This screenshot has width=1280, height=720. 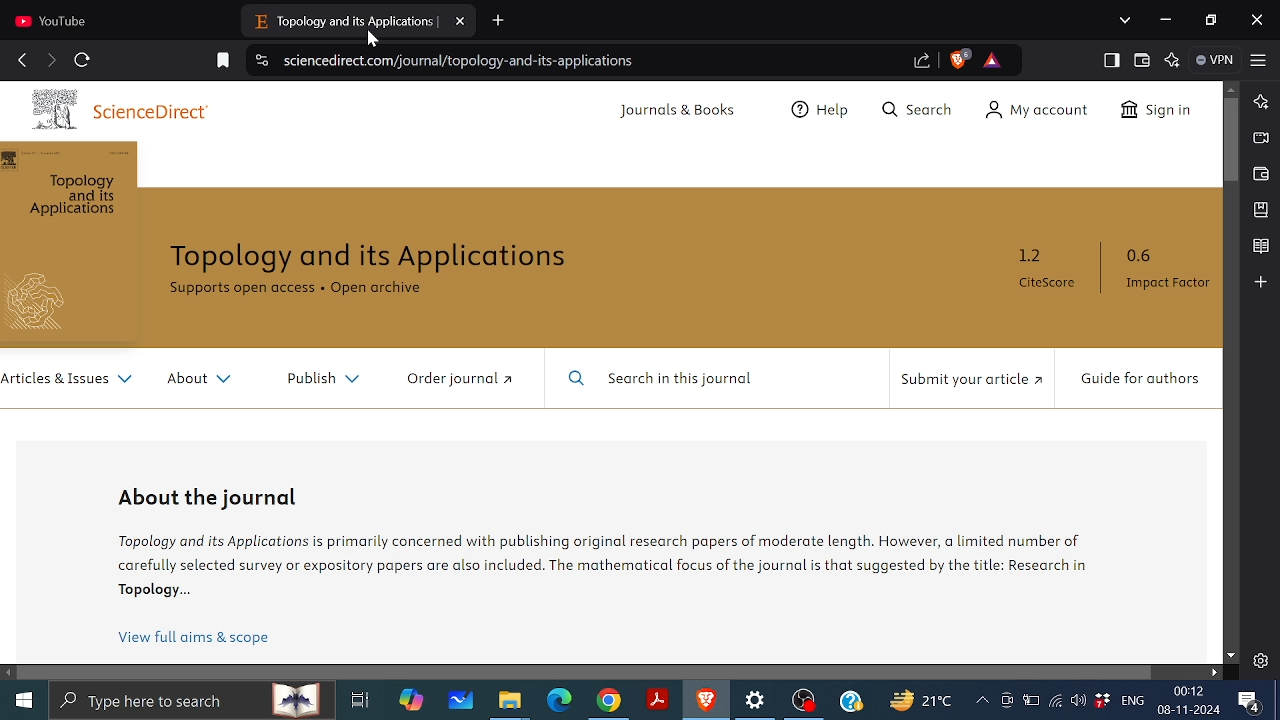 What do you see at coordinates (1164, 18) in the screenshot?
I see `Minimize` at bounding box center [1164, 18].